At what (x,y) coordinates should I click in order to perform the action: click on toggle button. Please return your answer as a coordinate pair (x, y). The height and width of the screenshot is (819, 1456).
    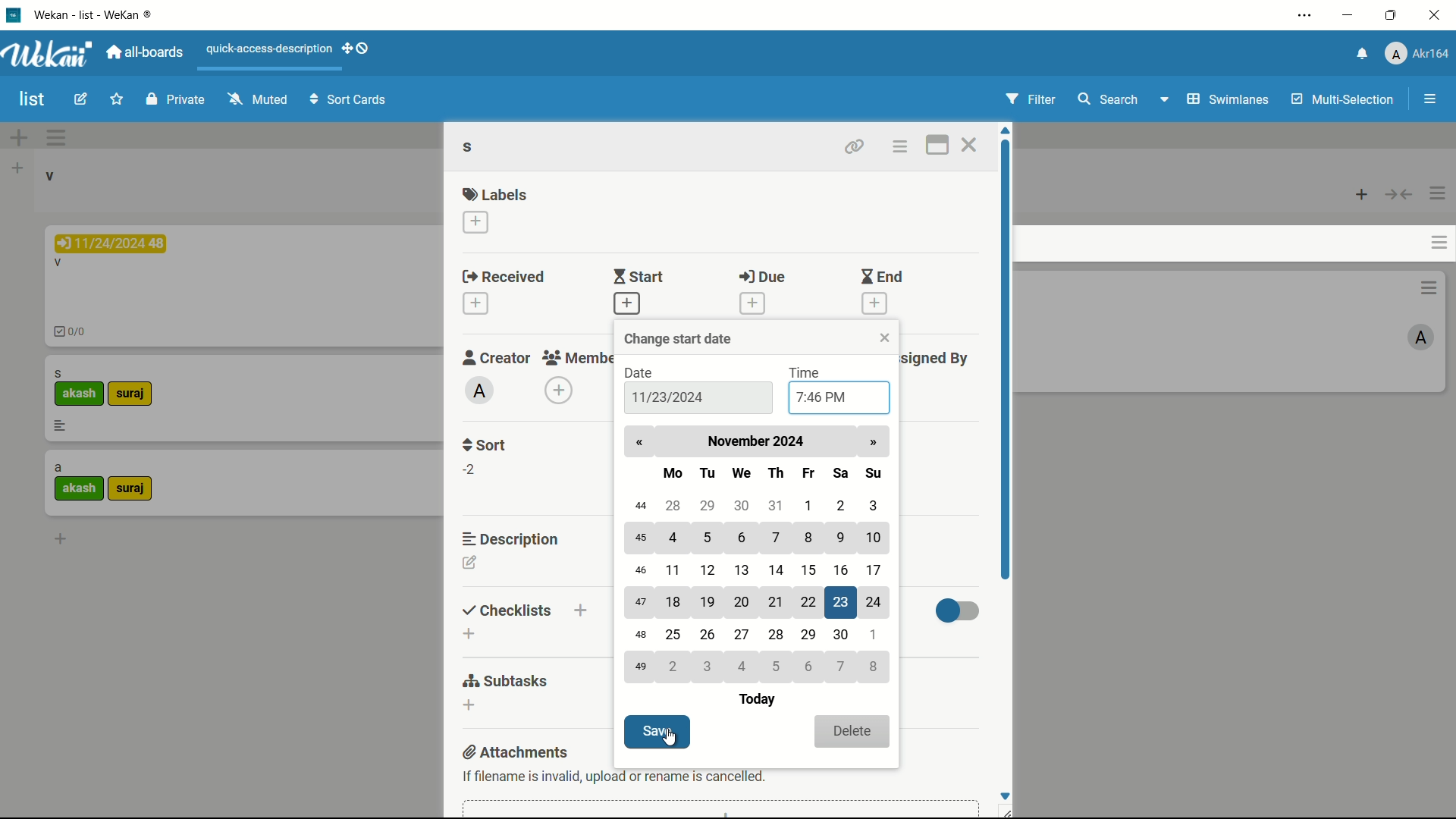
    Looking at the image, I should click on (958, 613).